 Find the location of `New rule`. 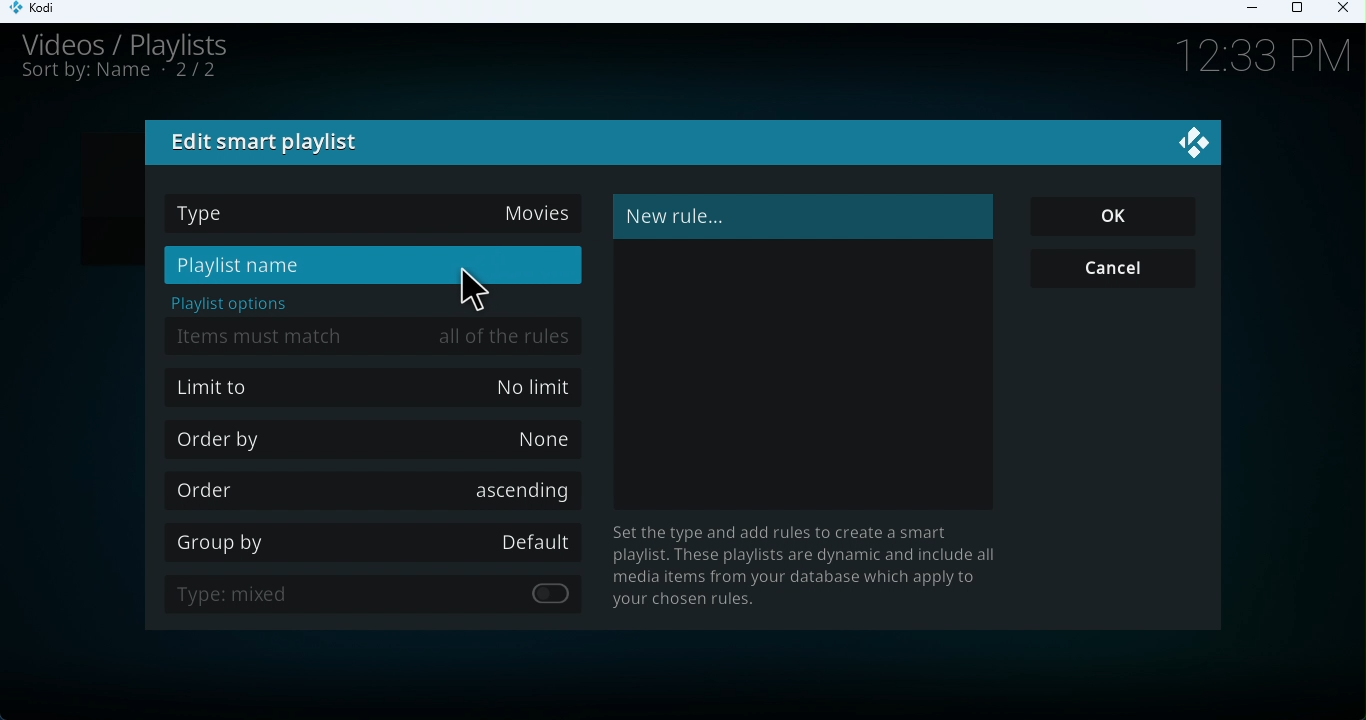

New rule is located at coordinates (800, 216).